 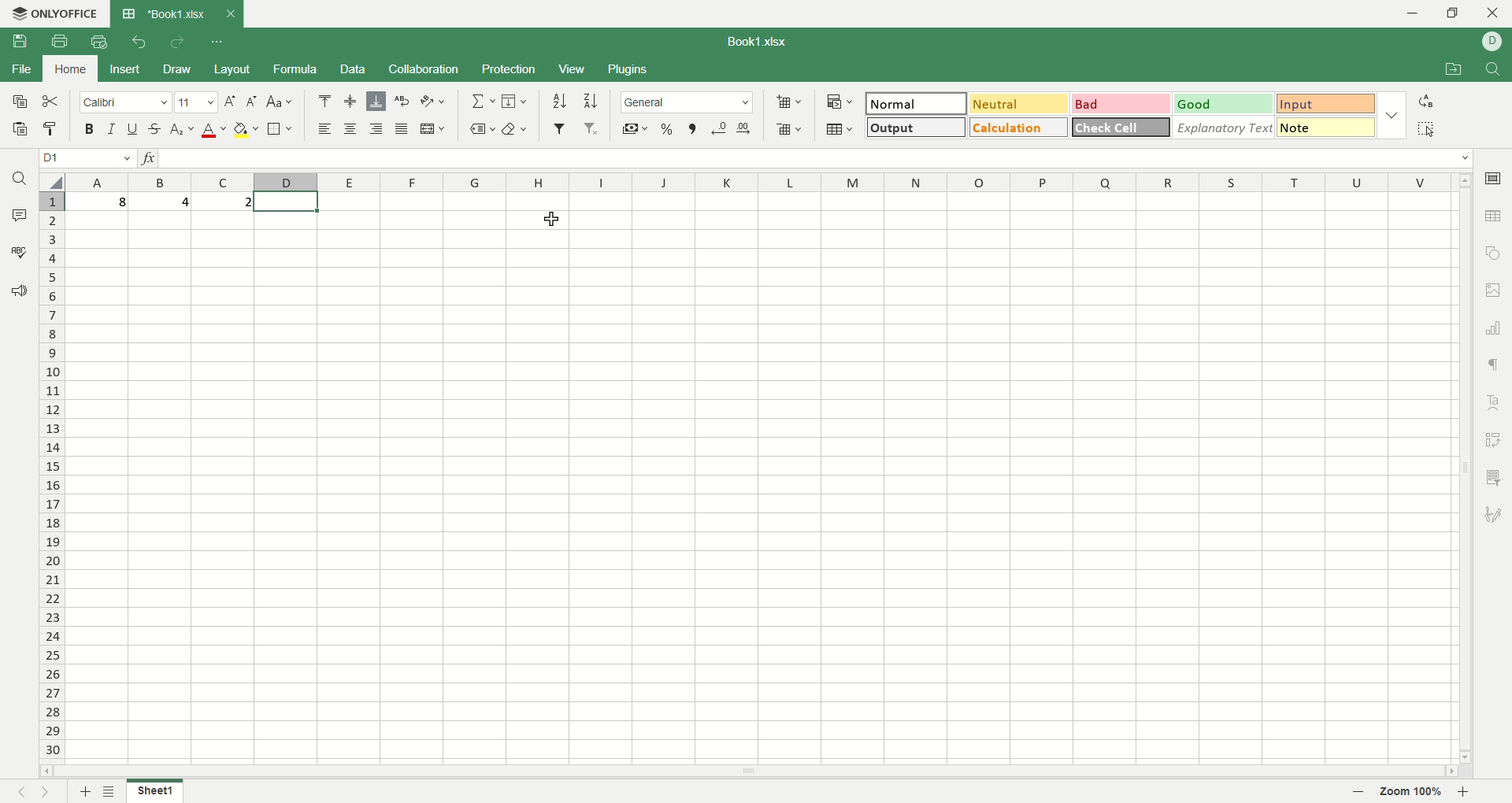 I want to click on border, so click(x=280, y=128).